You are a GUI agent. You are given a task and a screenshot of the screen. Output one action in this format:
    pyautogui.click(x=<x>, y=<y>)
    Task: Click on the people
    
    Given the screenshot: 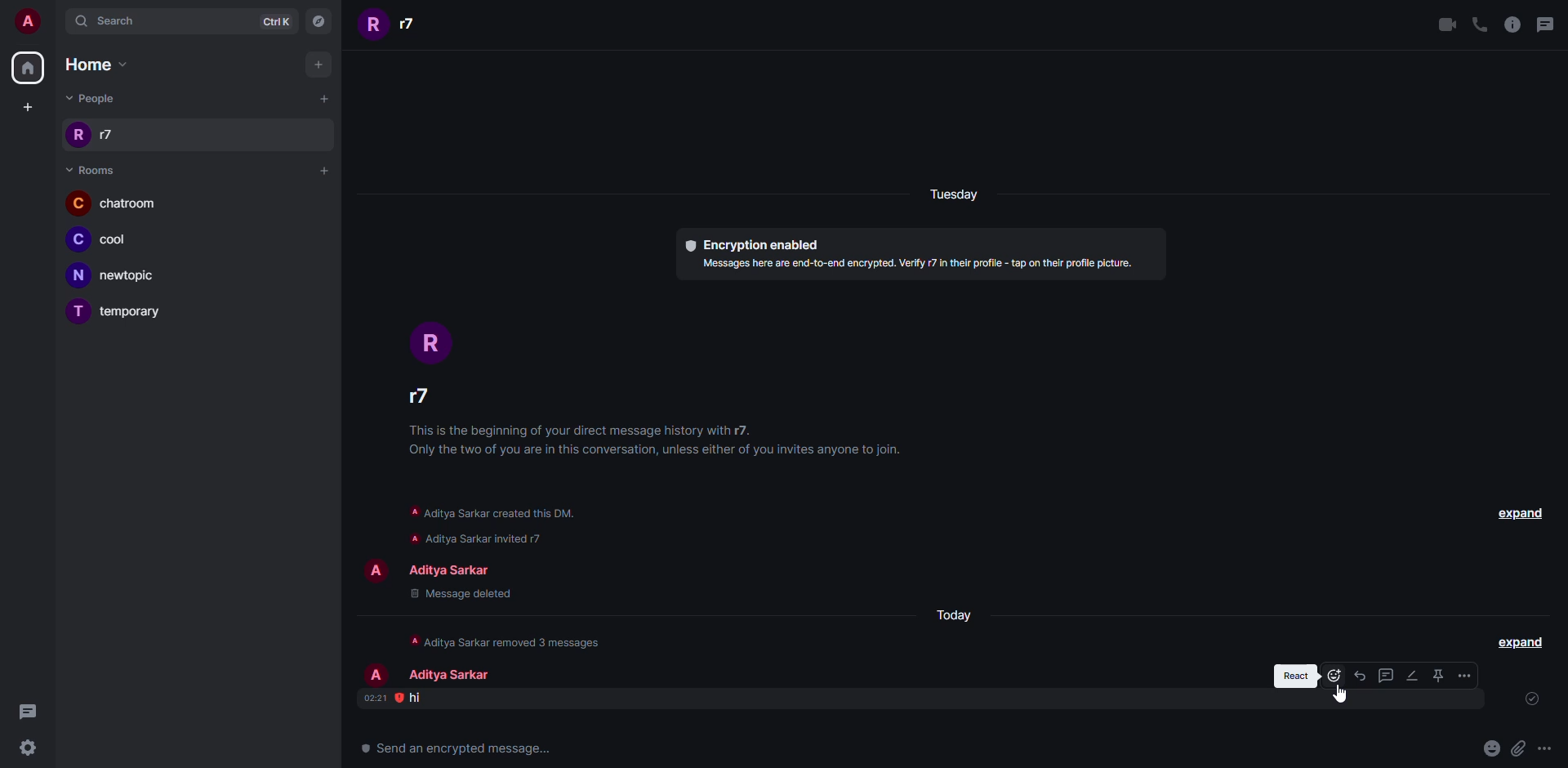 What is the action you would take?
    pyautogui.click(x=417, y=397)
    